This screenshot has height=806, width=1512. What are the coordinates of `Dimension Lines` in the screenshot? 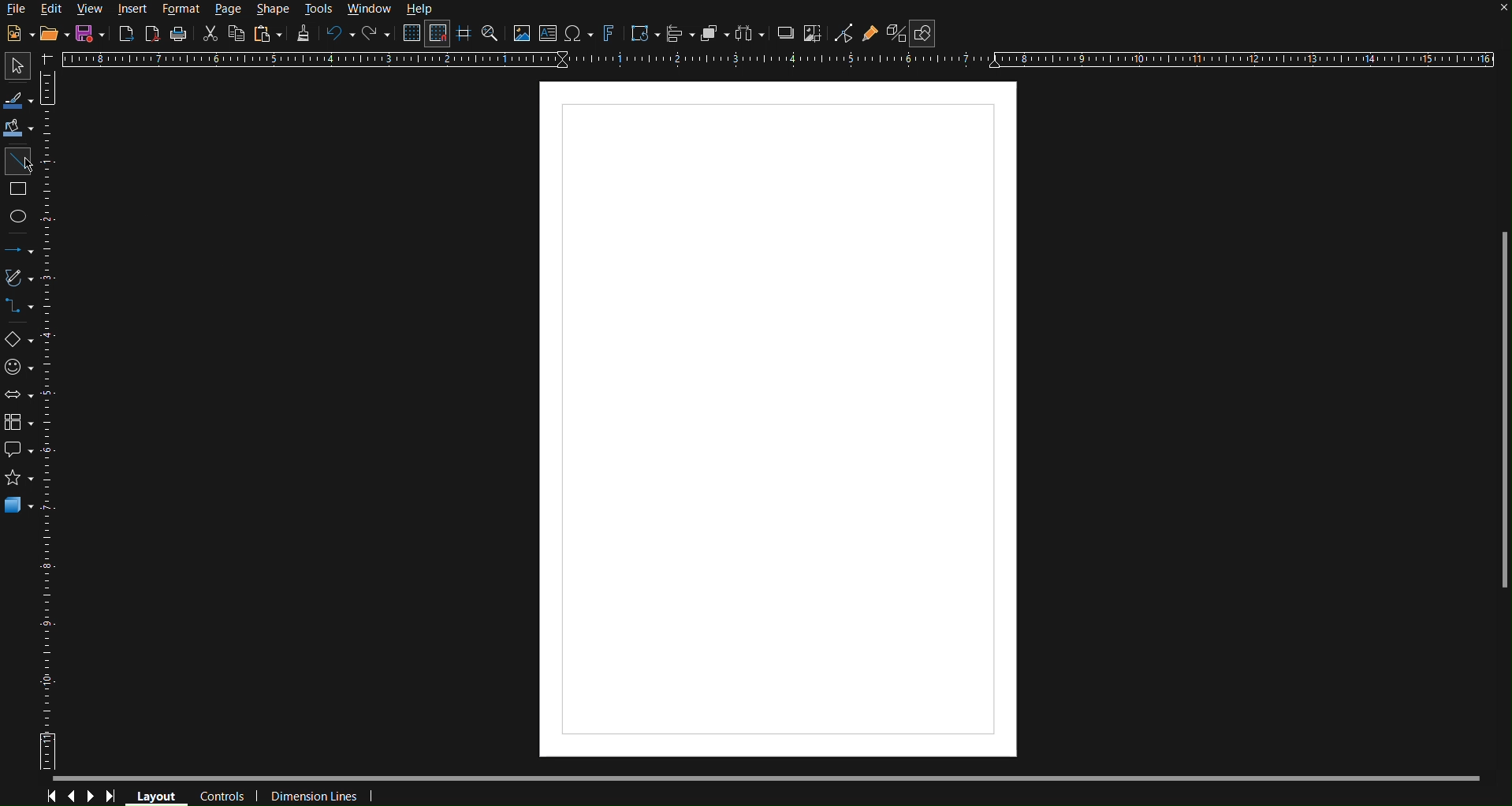 It's located at (315, 795).